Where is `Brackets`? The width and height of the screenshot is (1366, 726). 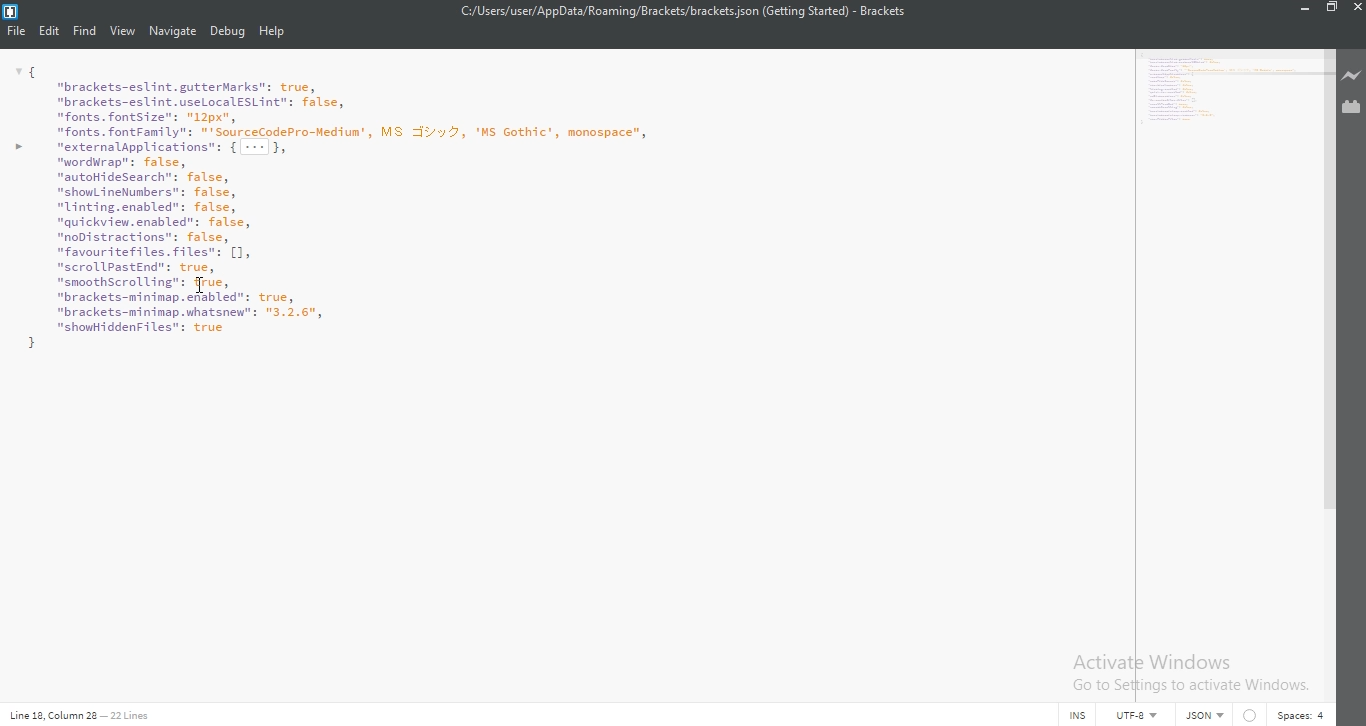 Brackets is located at coordinates (883, 11).